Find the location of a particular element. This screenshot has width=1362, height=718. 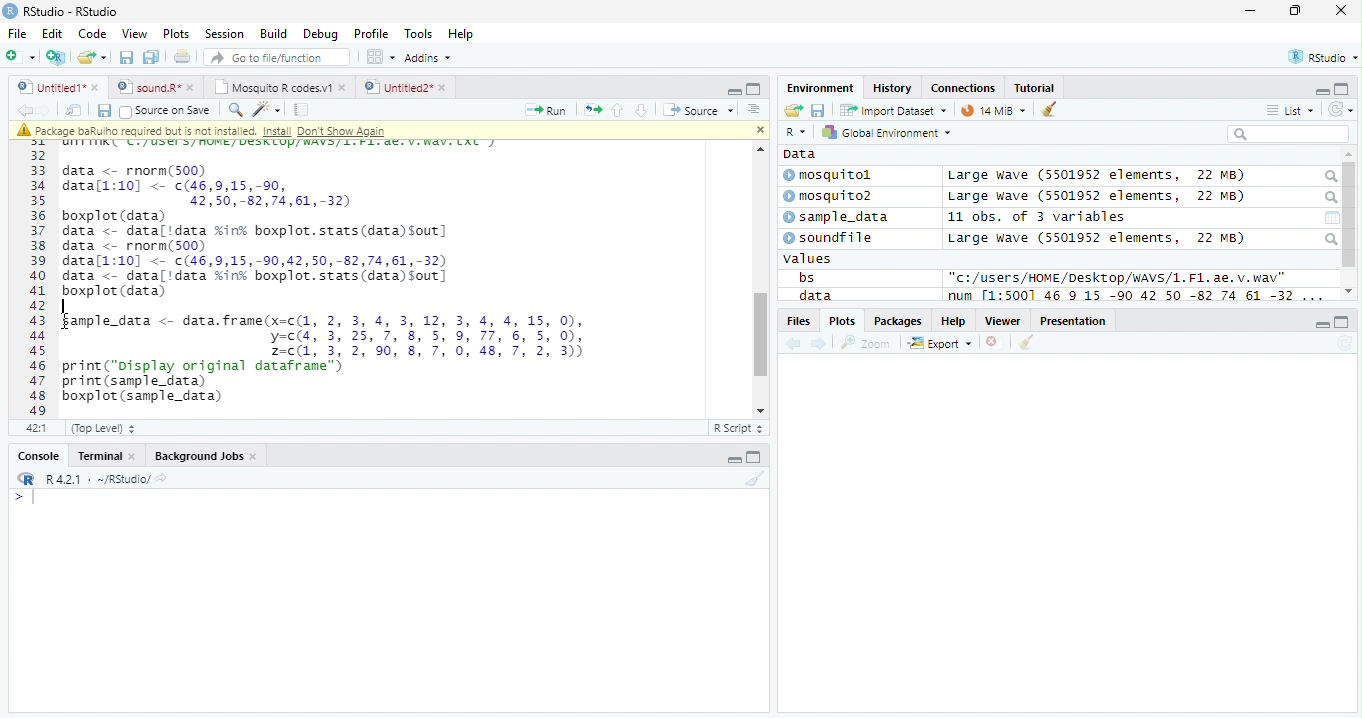

sample_data is located at coordinates (838, 218).